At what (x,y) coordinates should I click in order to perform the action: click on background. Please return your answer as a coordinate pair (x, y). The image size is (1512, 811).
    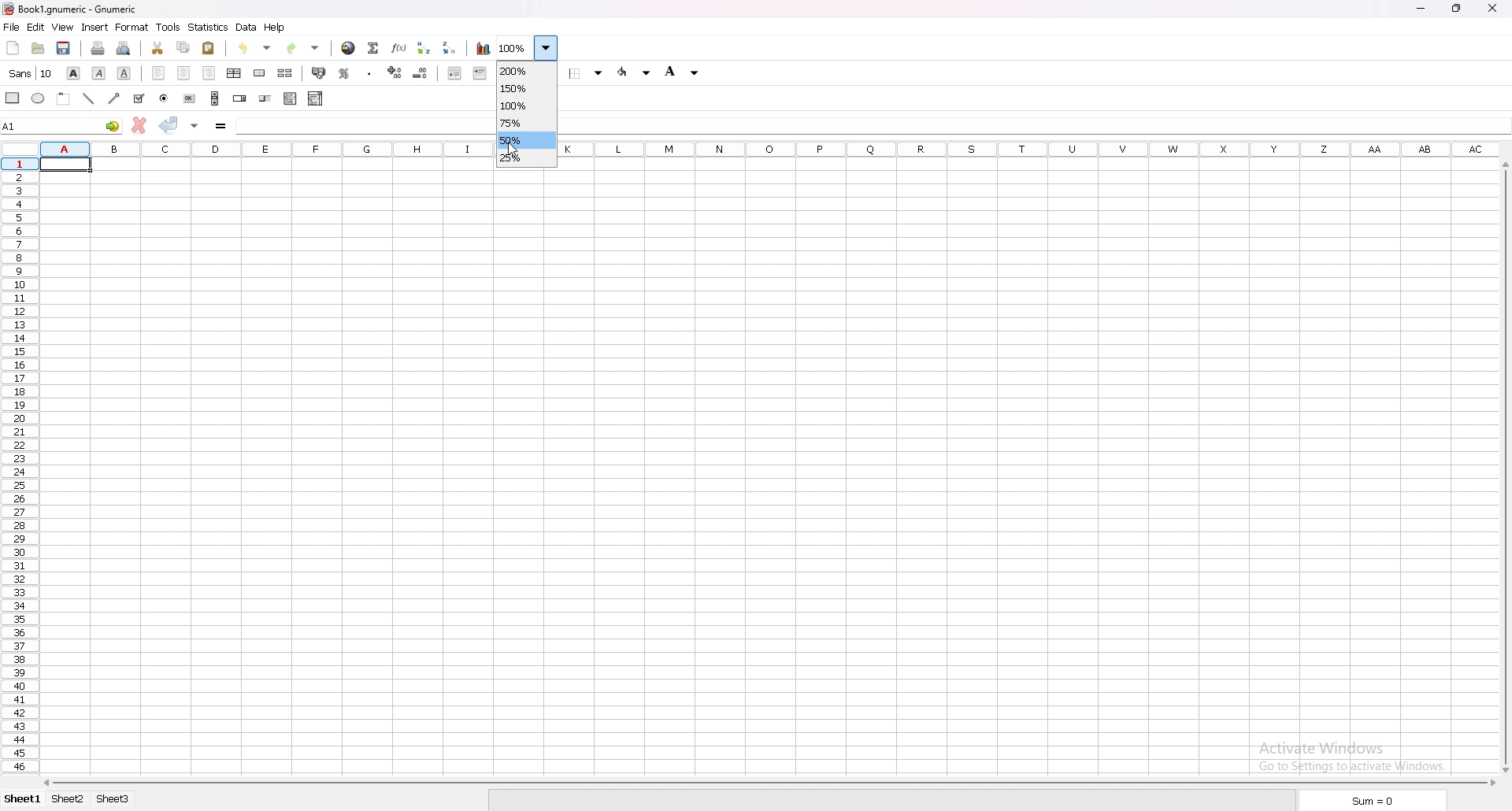
    Looking at the image, I should click on (670, 71).